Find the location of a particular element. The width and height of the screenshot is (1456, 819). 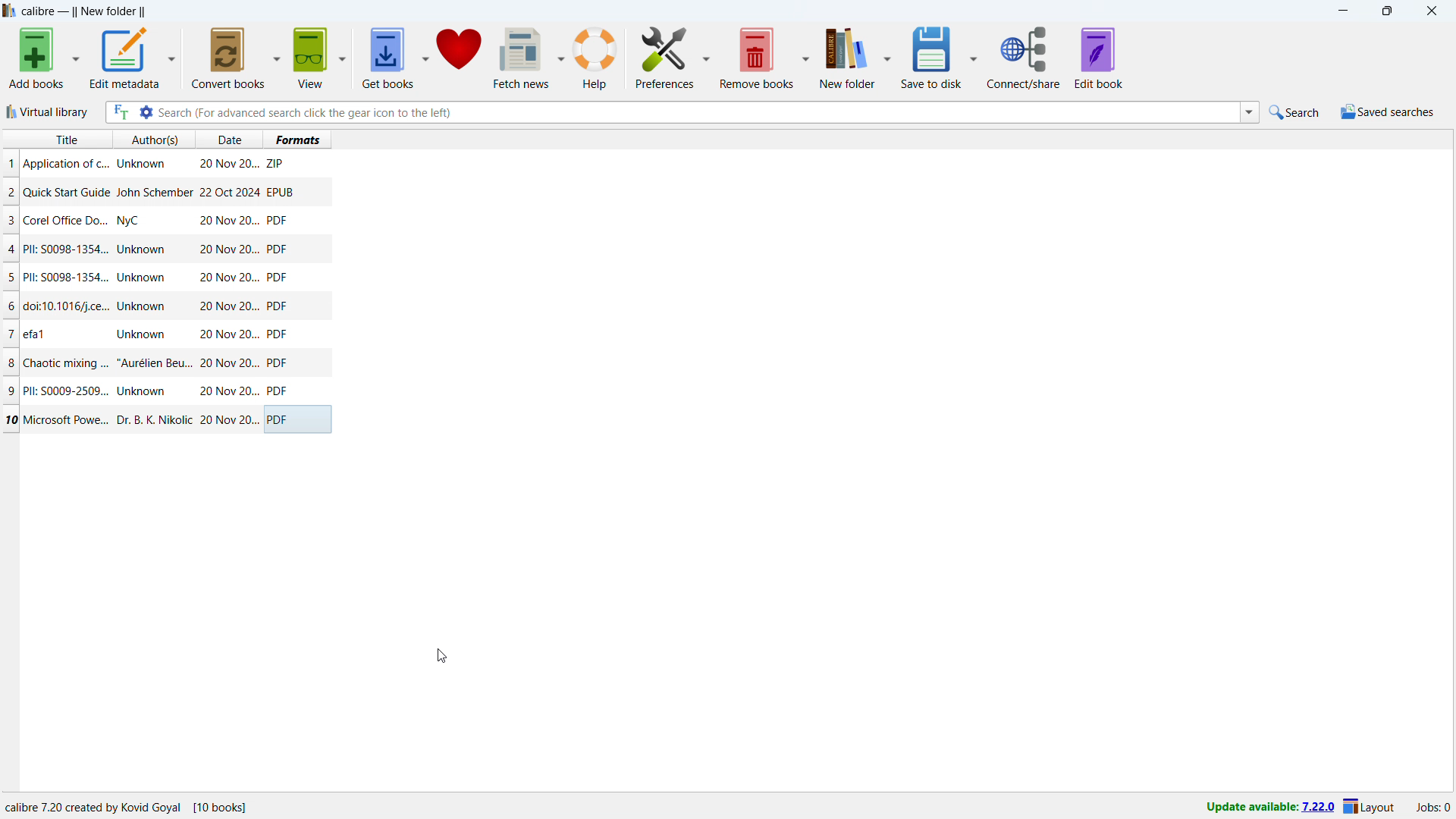

efa1 is located at coordinates (36, 334).